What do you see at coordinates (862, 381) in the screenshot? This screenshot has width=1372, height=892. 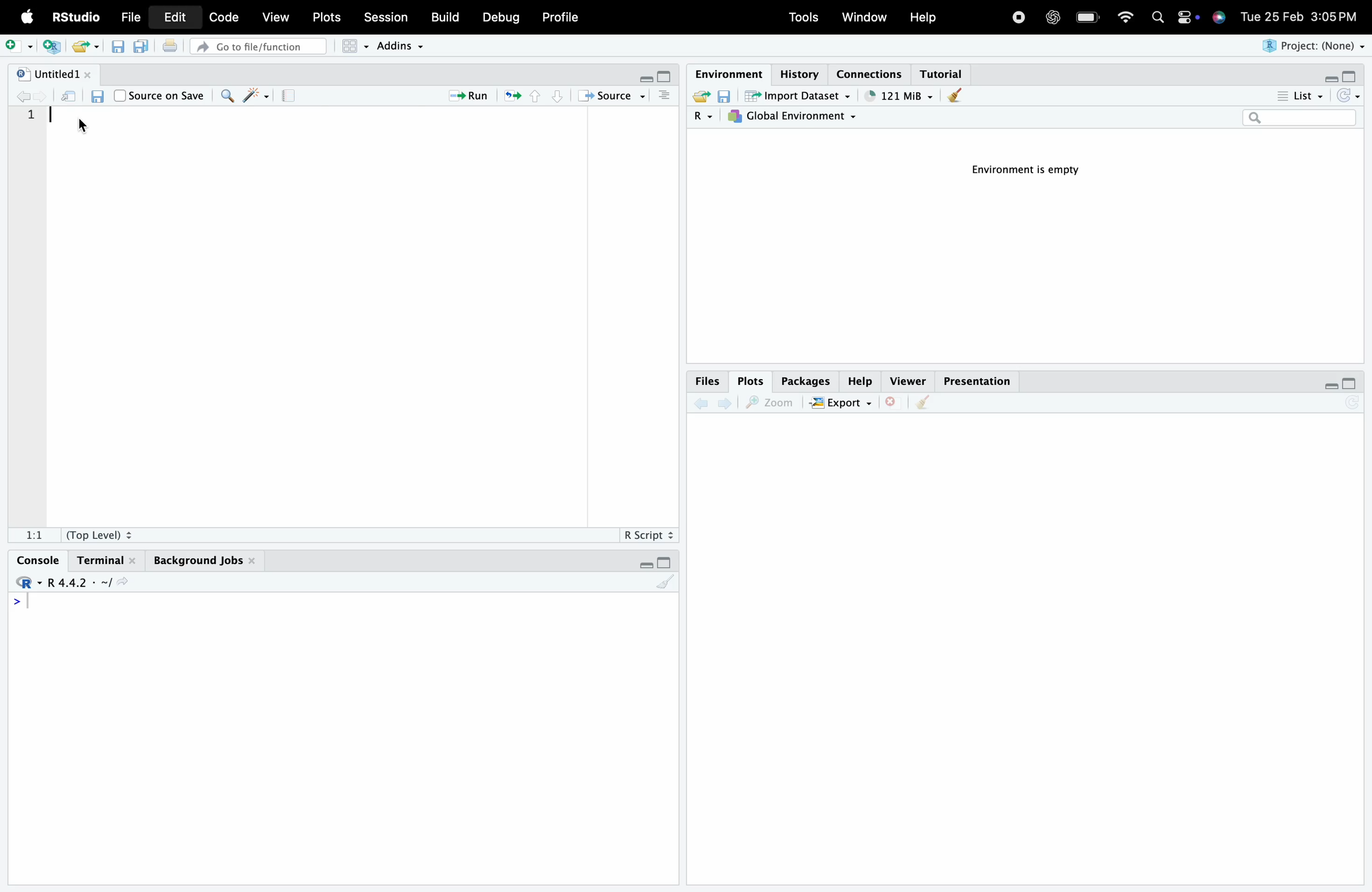 I see `Help` at bounding box center [862, 381].